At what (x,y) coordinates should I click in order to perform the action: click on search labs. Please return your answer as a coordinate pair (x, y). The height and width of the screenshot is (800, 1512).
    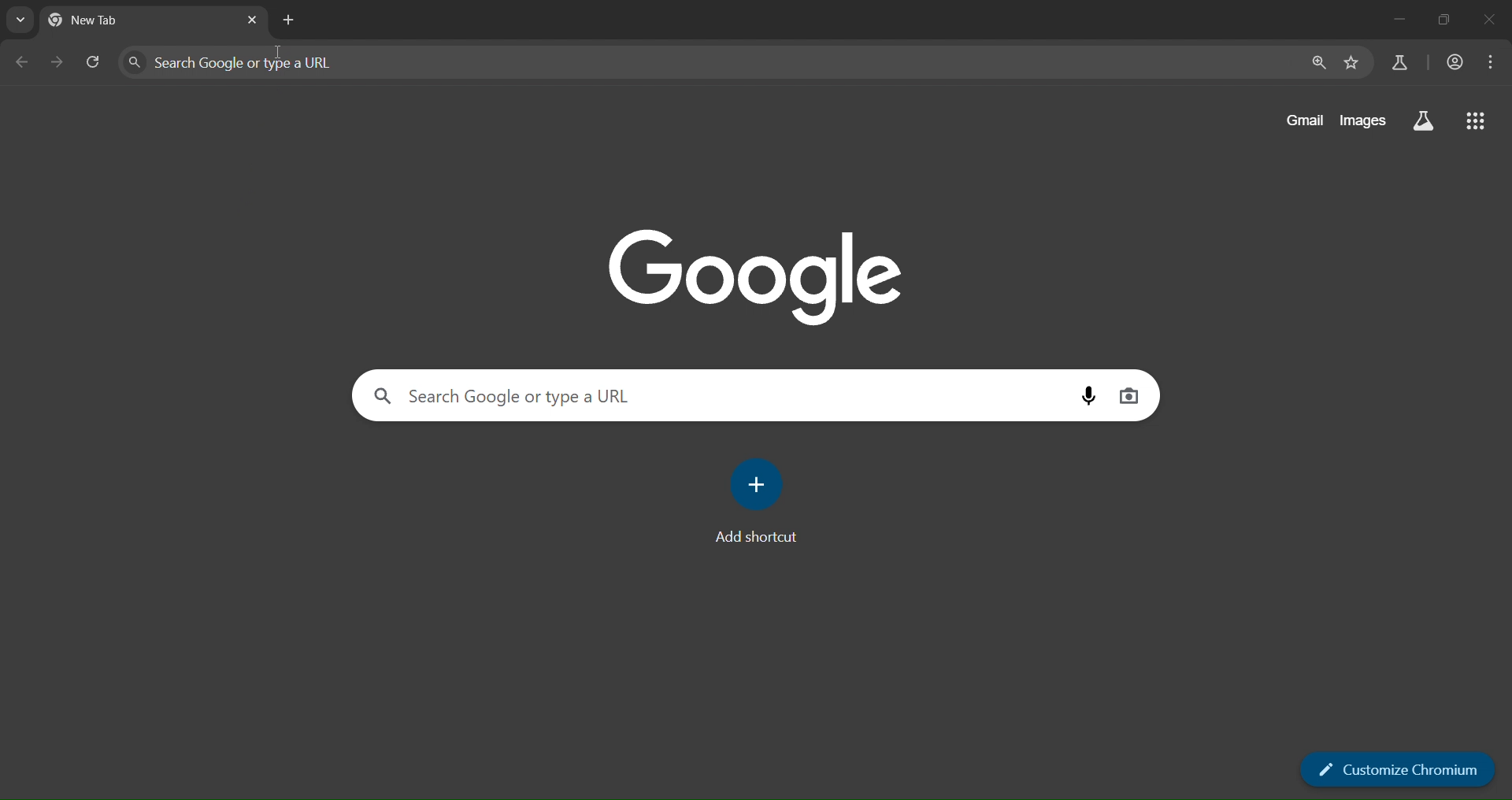
    Looking at the image, I should click on (1421, 124).